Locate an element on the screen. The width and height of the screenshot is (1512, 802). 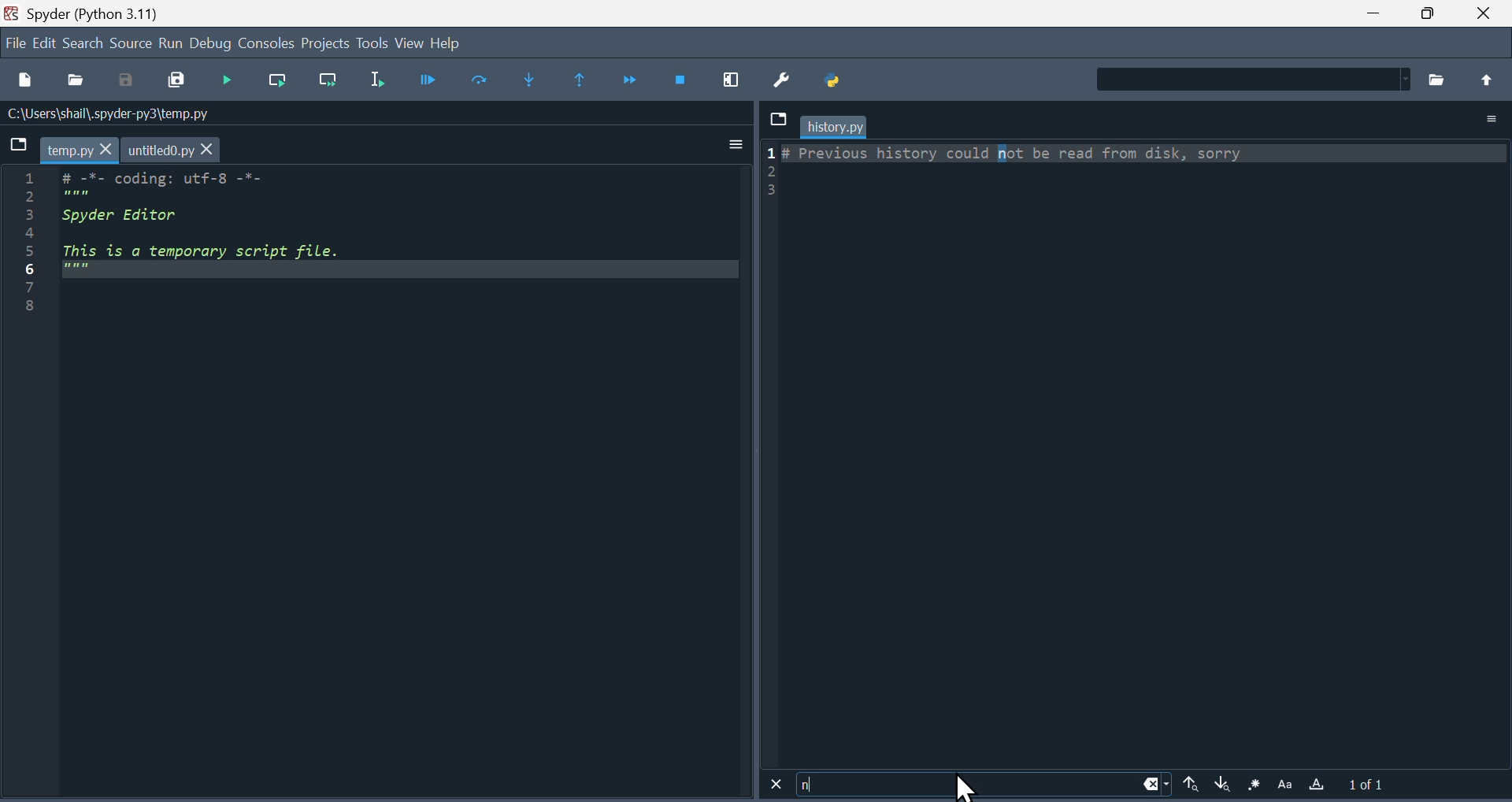
Save as is located at coordinates (130, 80).